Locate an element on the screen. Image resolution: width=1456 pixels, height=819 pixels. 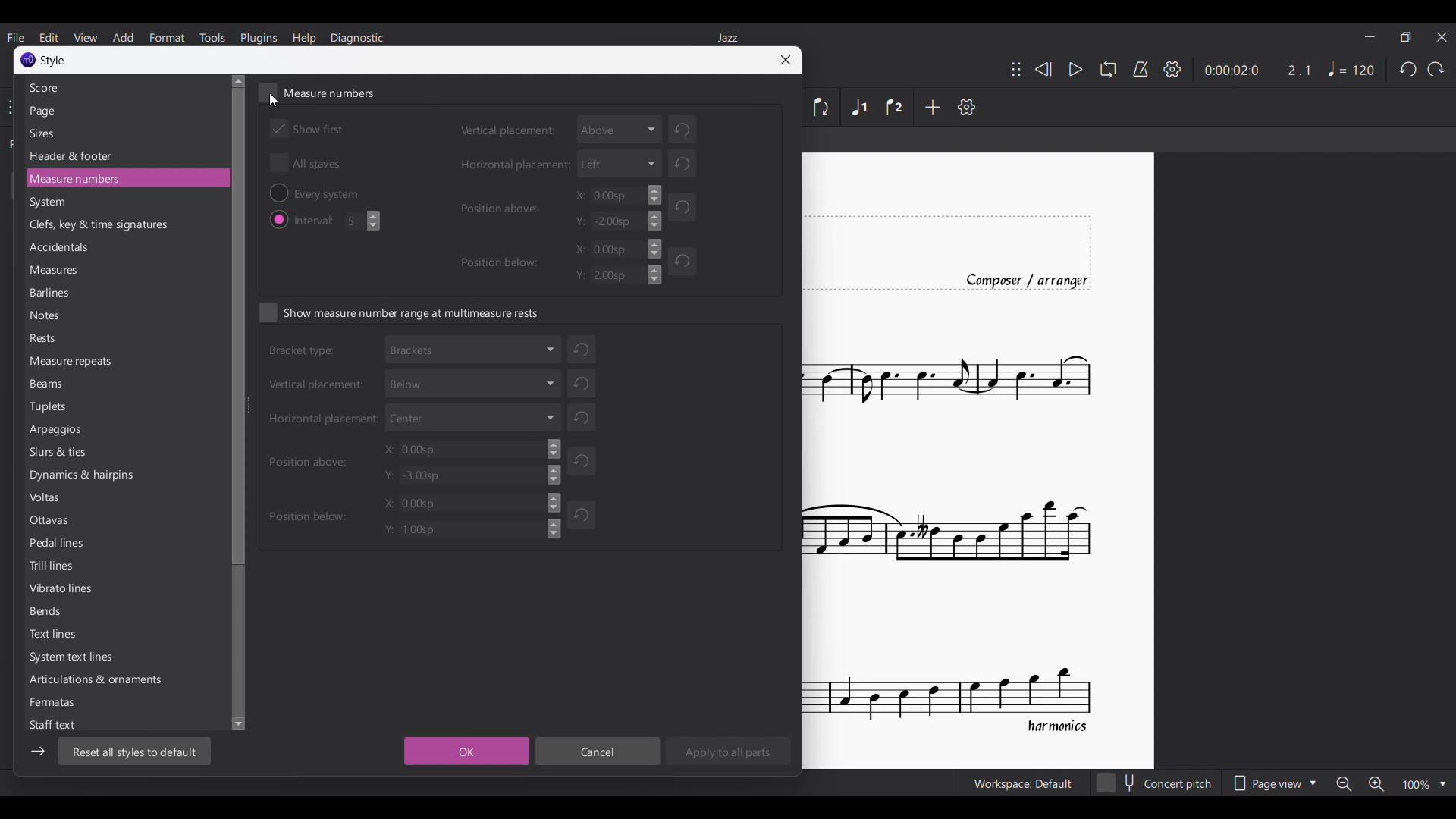
X is located at coordinates (616, 249).